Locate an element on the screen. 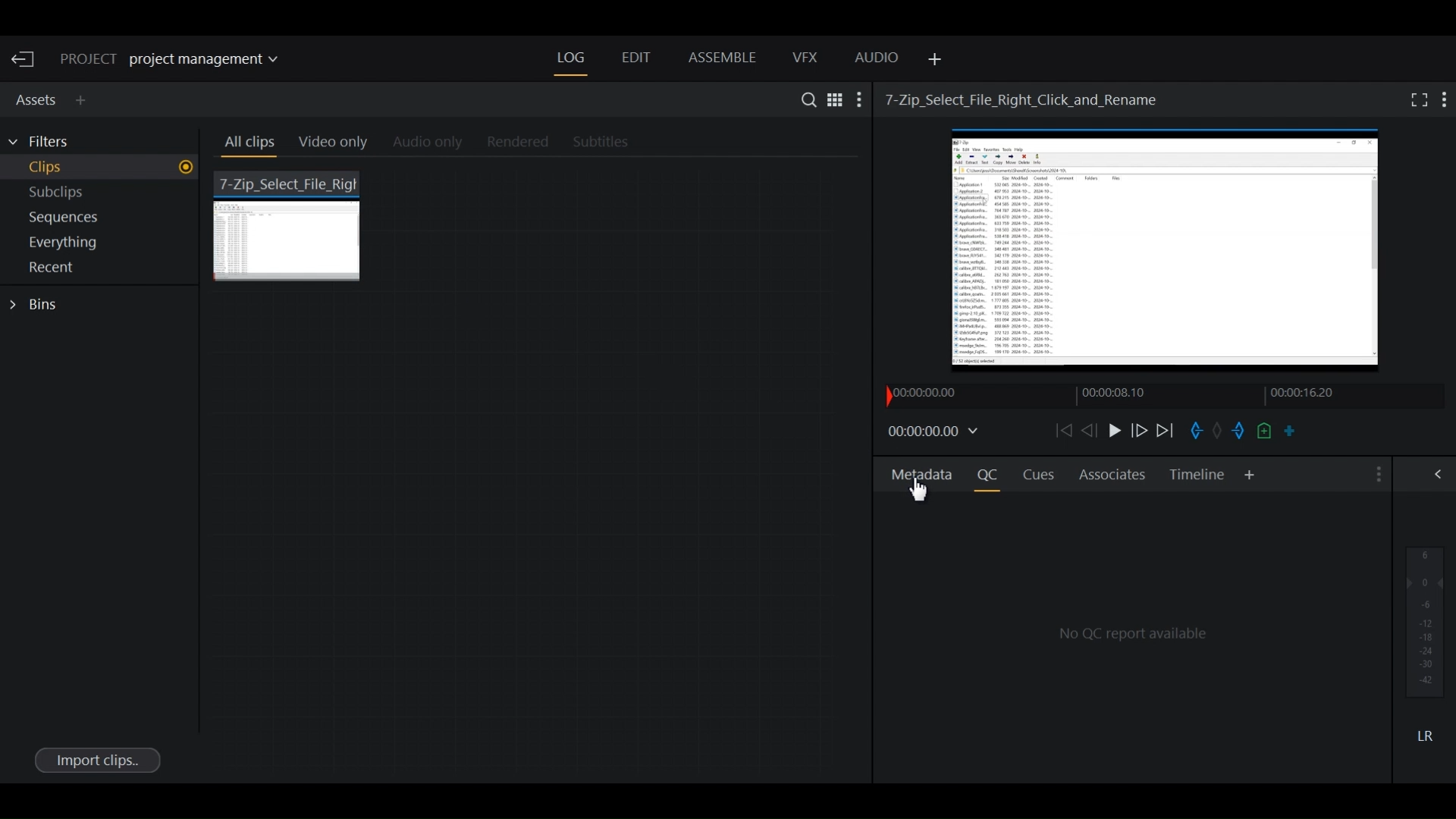 The width and height of the screenshot is (1456, 819). Timeline is located at coordinates (1131, 395).